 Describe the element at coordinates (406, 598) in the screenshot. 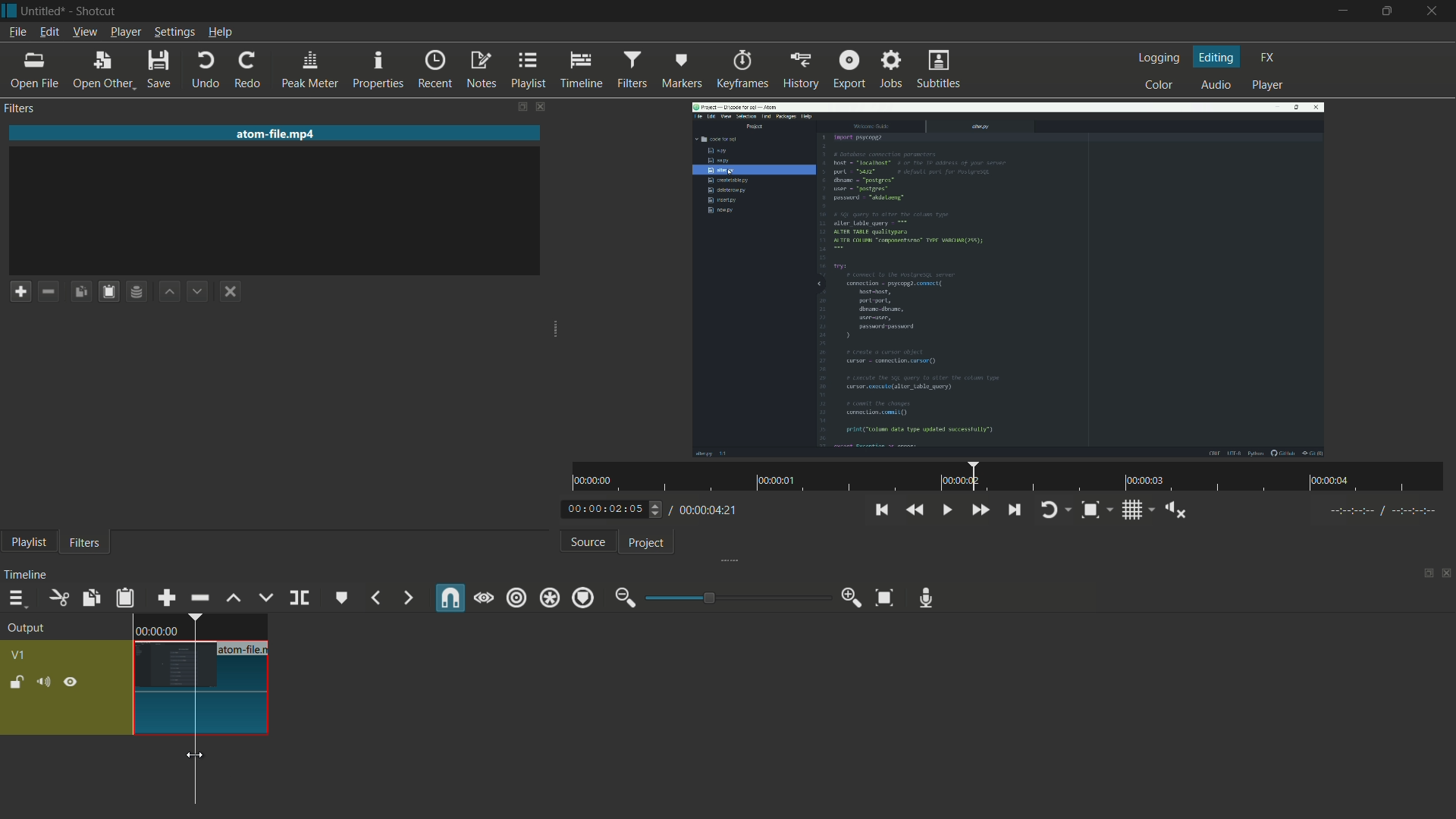

I see `next marker` at that location.